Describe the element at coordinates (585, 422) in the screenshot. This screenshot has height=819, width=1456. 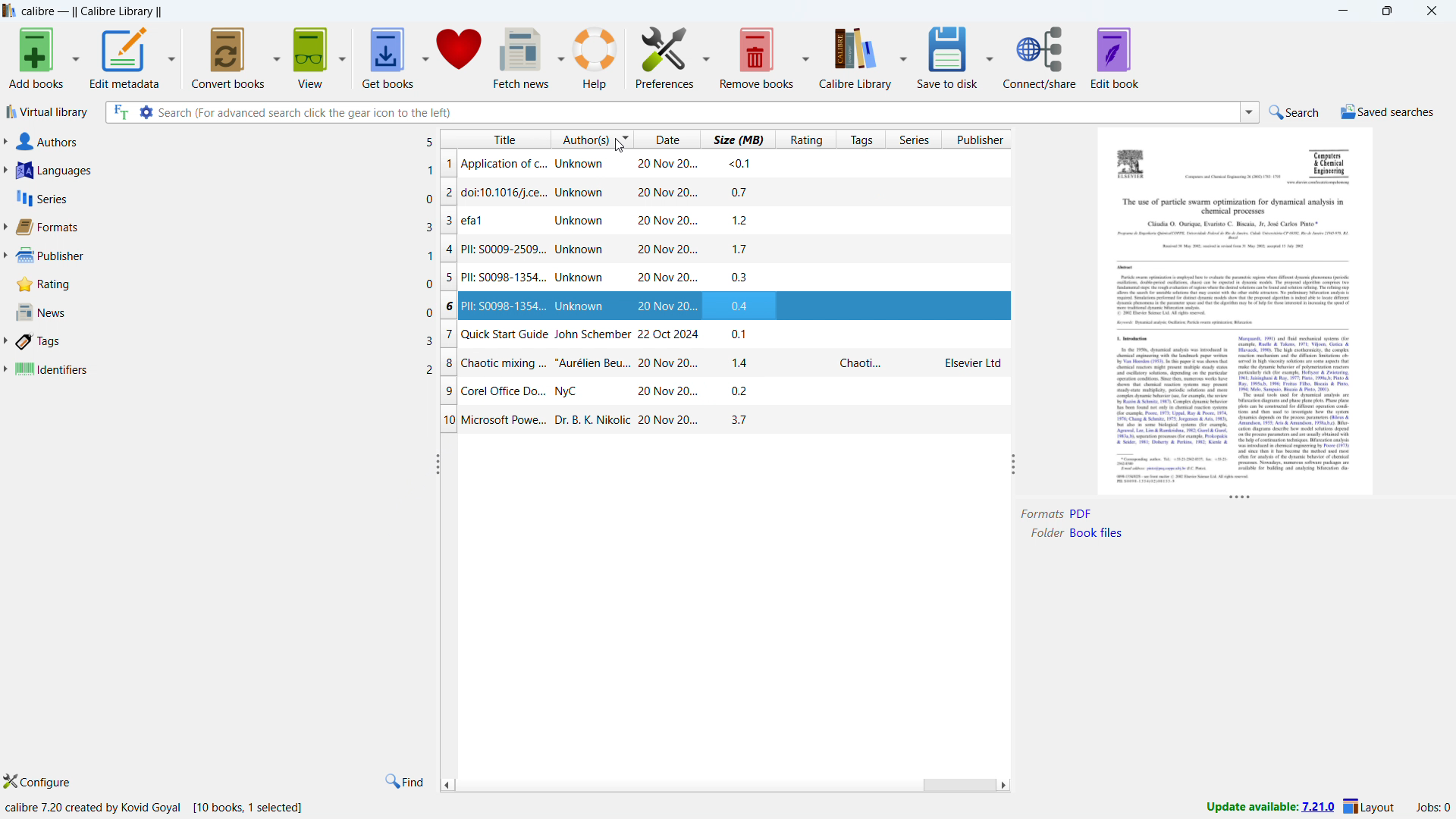
I see `Microsoft Powe... Dr. B. K. Nikolic 20 Nov 20...` at that location.